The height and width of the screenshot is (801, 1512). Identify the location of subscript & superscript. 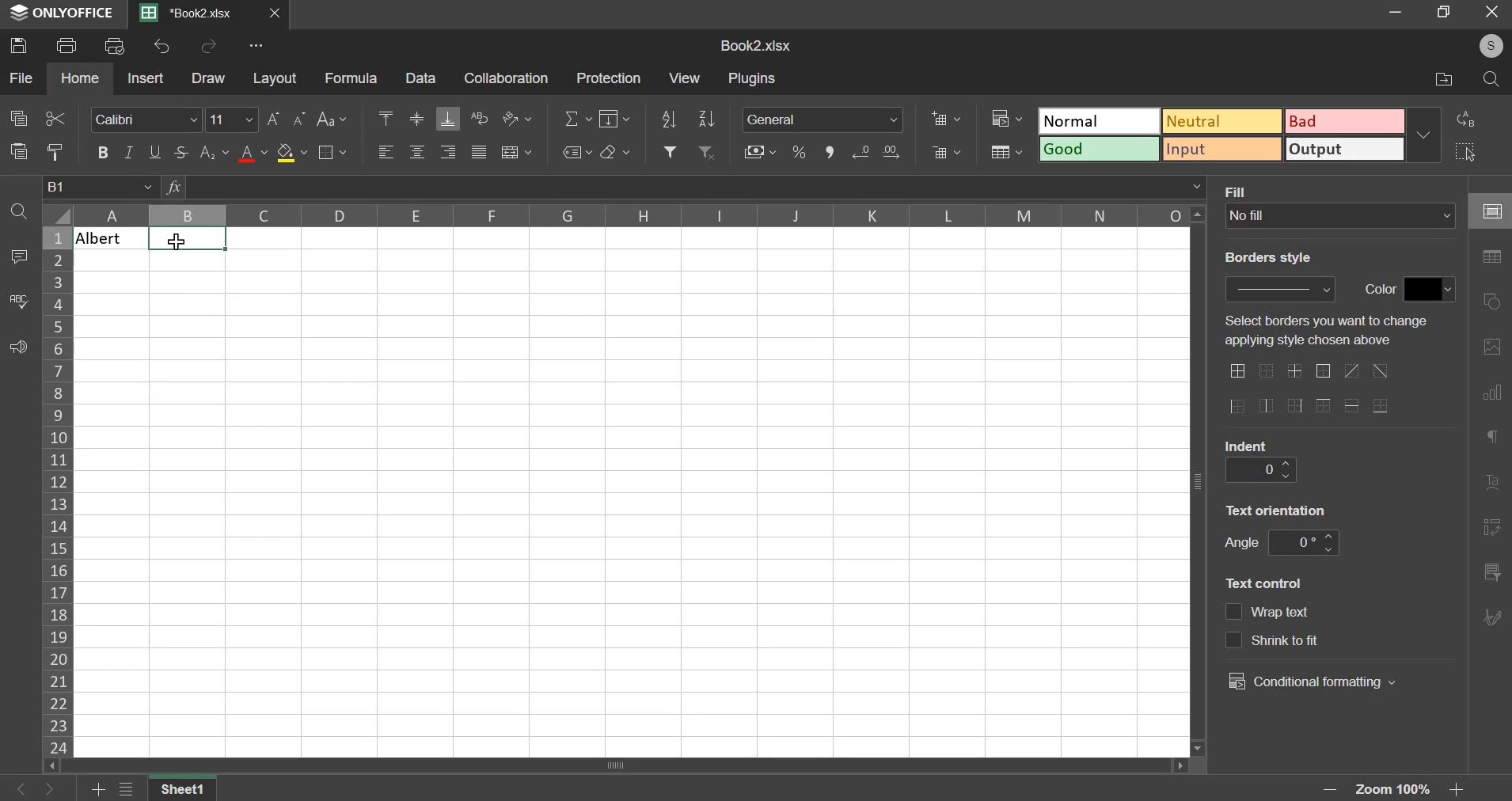
(215, 152).